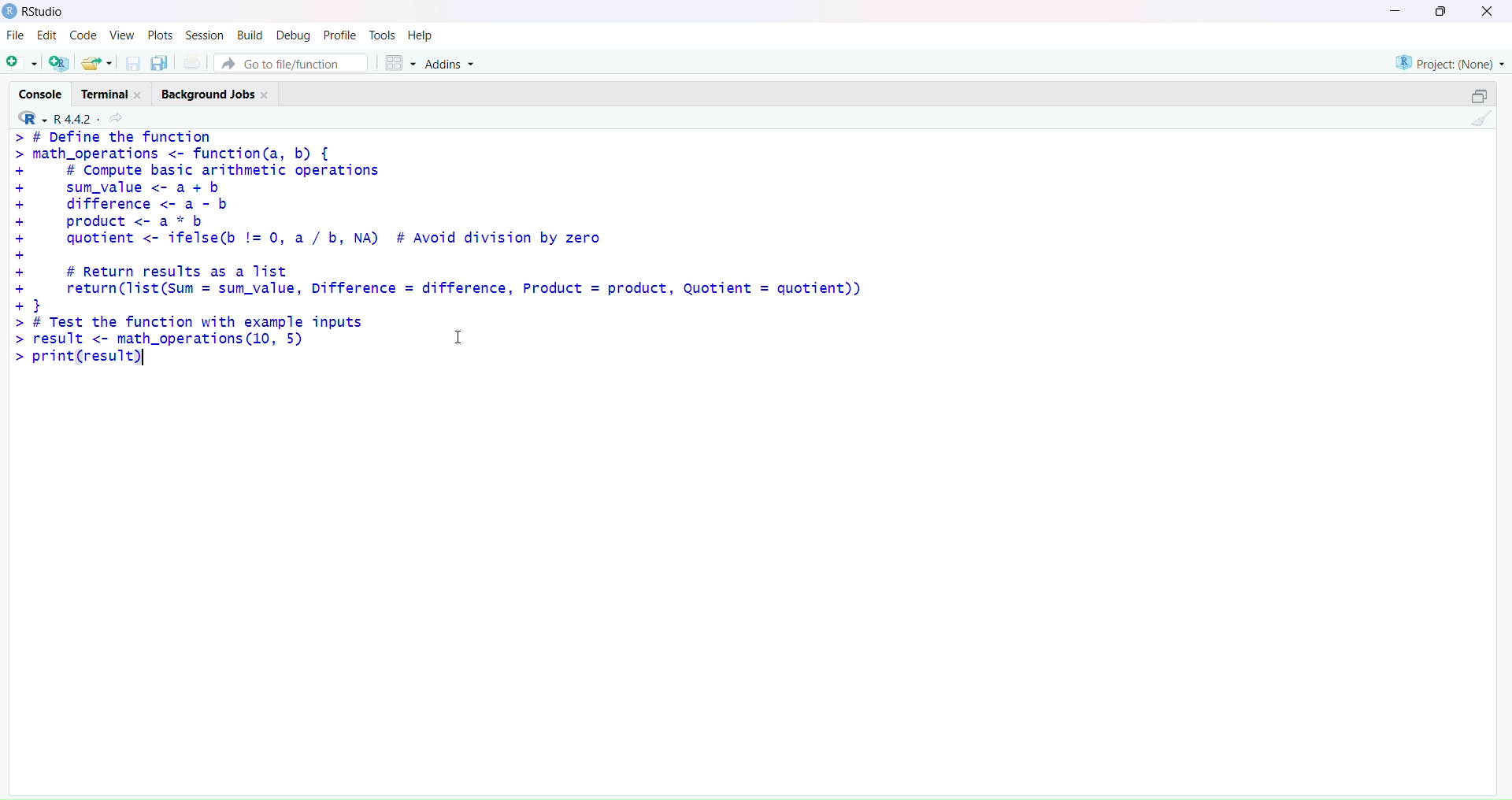 Image resolution: width=1512 pixels, height=800 pixels. What do you see at coordinates (1478, 122) in the screenshot?
I see `Clear console (Ctrl +L)` at bounding box center [1478, 122].